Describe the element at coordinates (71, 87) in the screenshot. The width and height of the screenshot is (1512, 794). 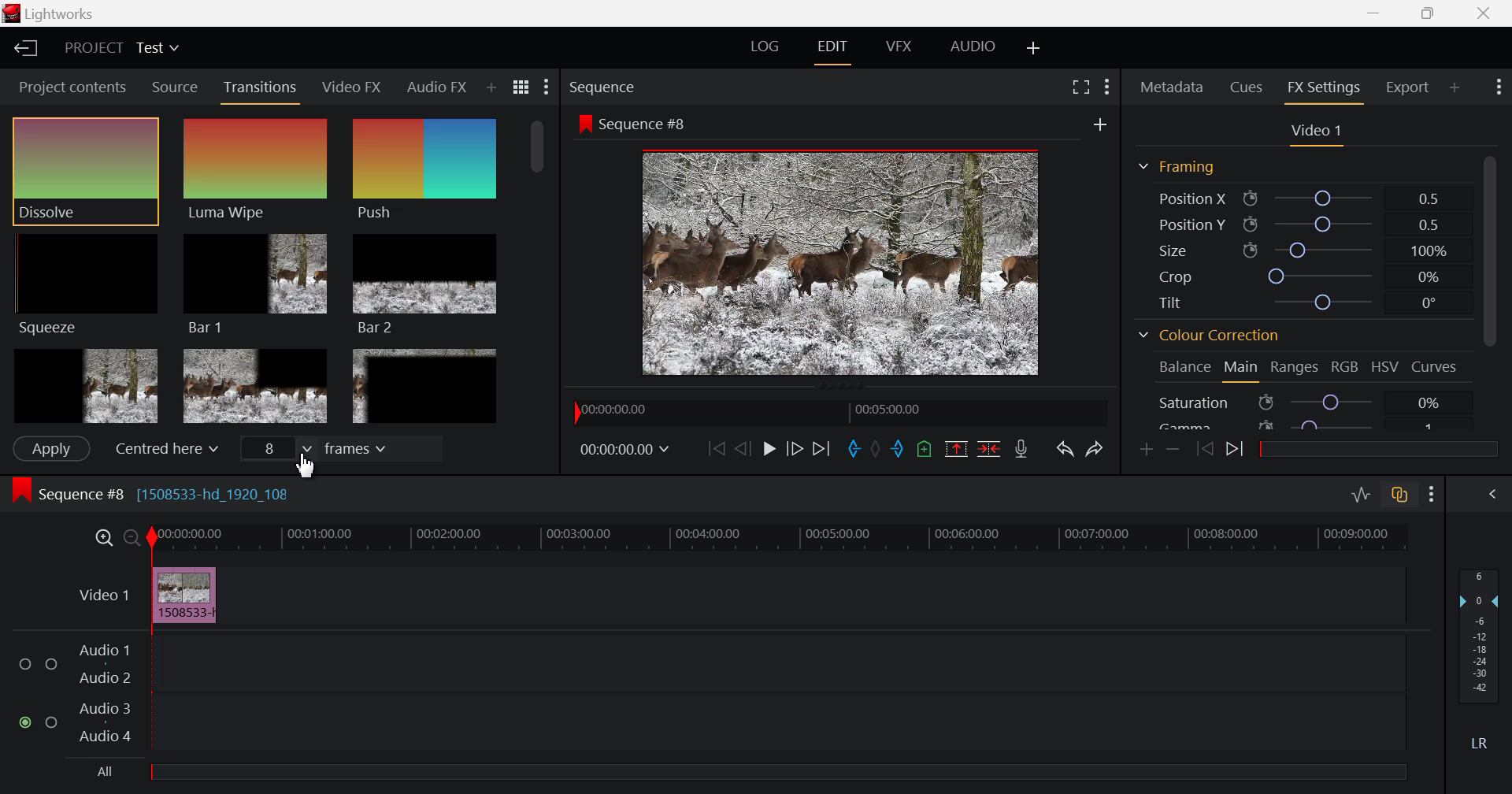
I see `Project contents` at that location.